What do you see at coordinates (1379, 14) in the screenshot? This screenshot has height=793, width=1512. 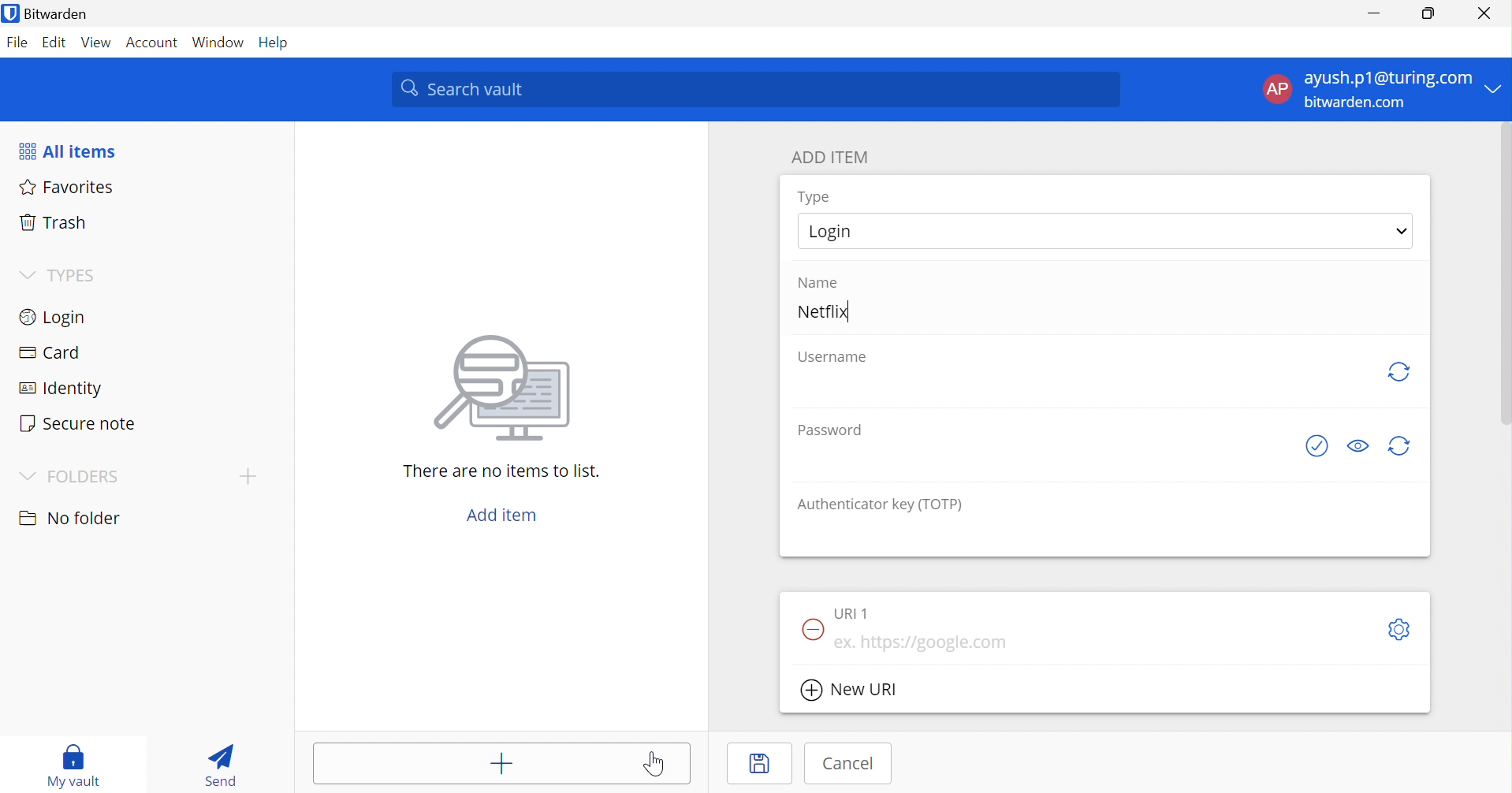 I see `Minimize` at bounding box center [1379, 14].